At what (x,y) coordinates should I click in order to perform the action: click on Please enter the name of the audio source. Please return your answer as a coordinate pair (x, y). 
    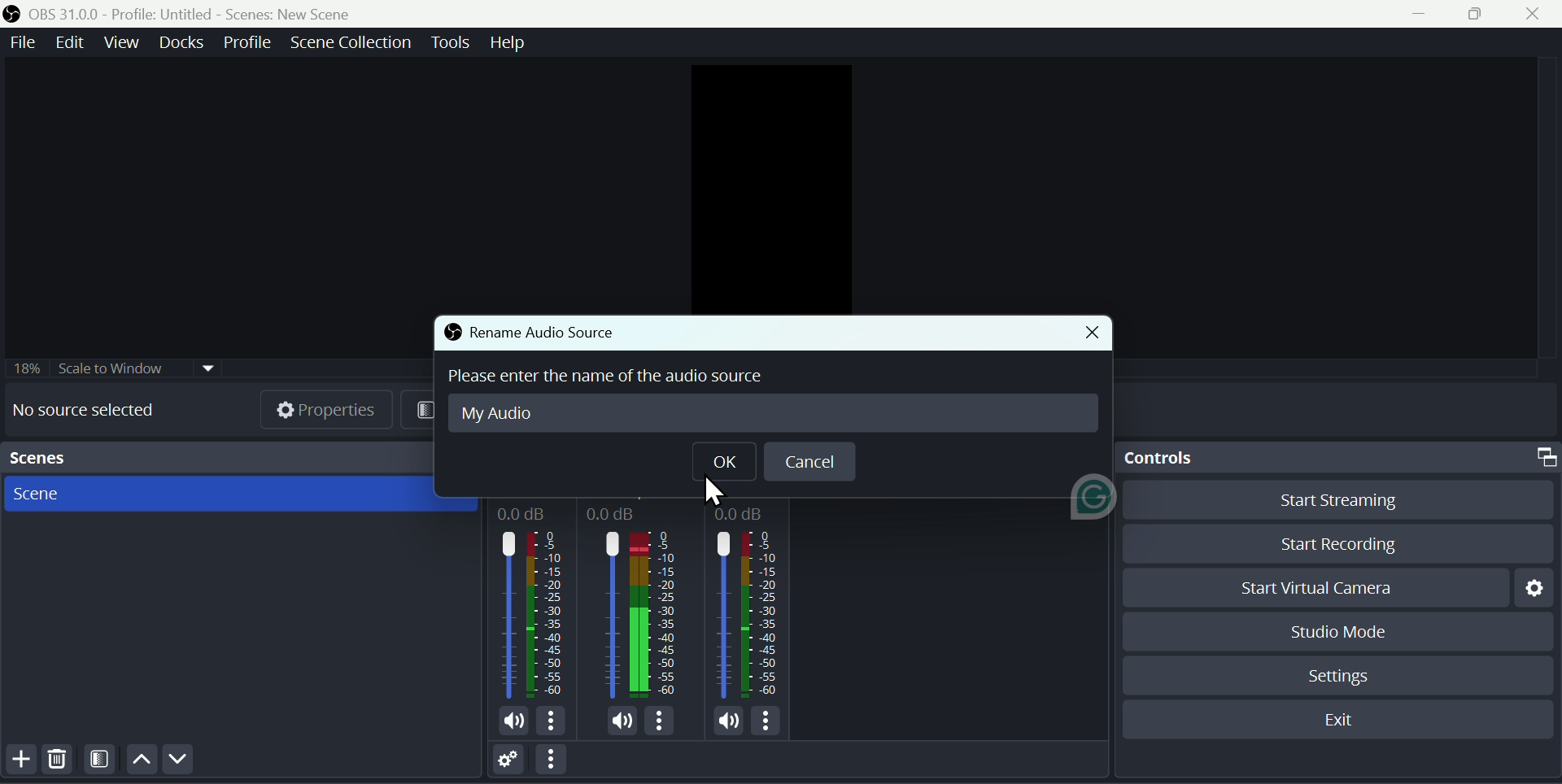
    Looking at the image, I should click on (618, 378).